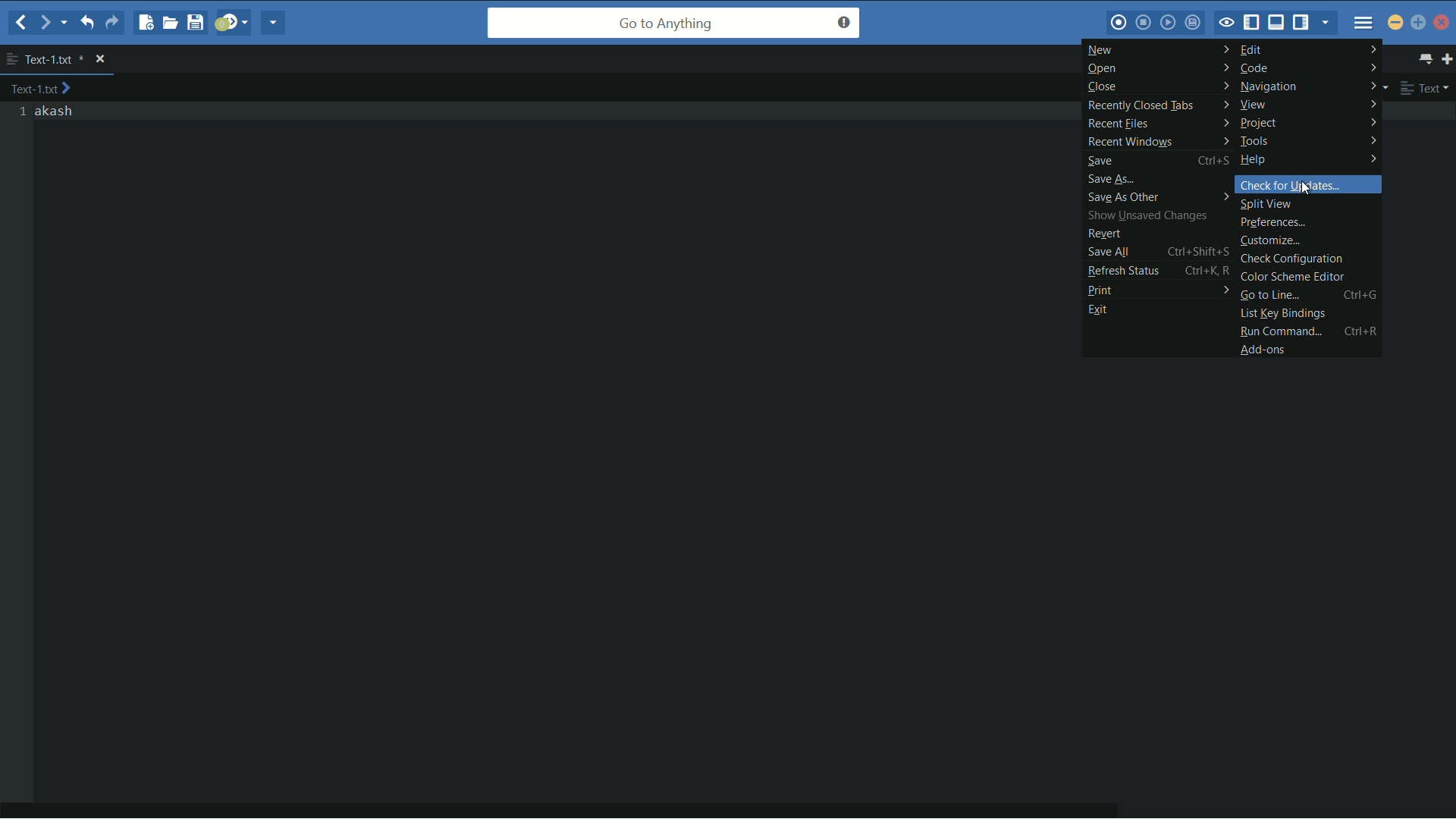  What do you see at coordinates (1254, 22) in the screenshot?
I see `show/hide left panel` at bounding box center [1254, 22].